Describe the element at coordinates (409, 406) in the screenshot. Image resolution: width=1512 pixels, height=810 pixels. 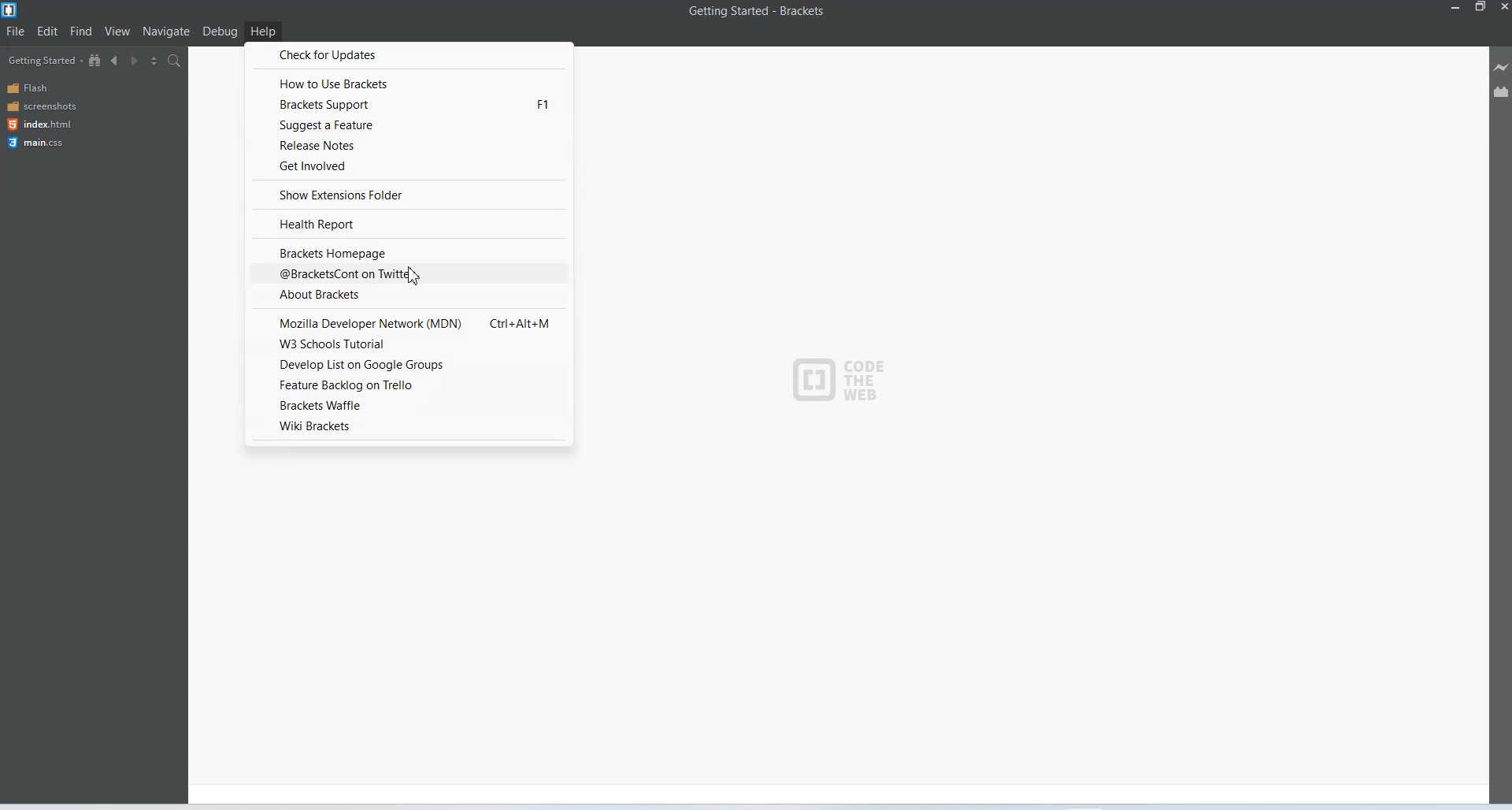
I see `bracket waffle` at that location.